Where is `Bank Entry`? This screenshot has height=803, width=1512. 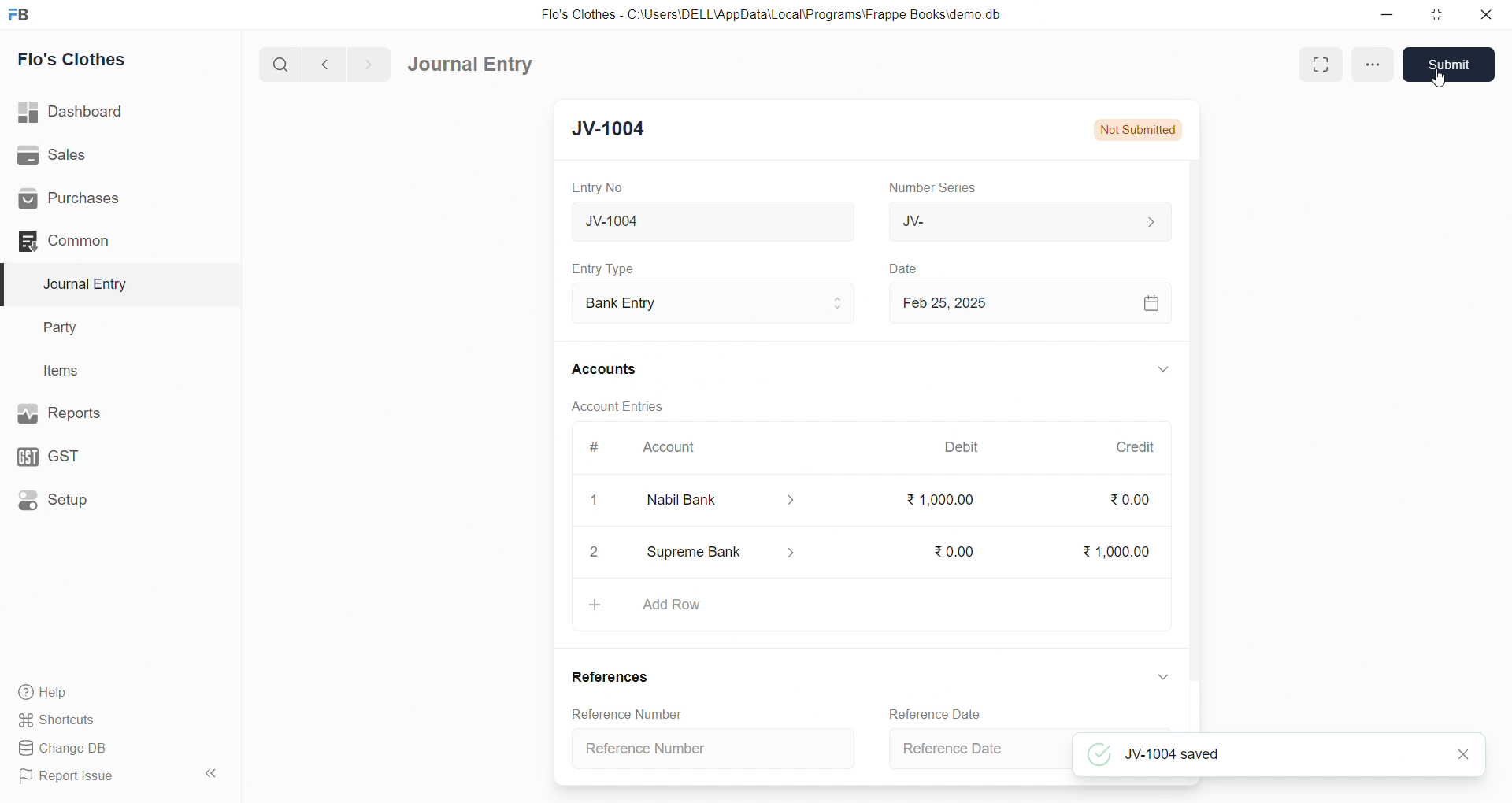 Bank Entry is located at coordinates (712, 304).